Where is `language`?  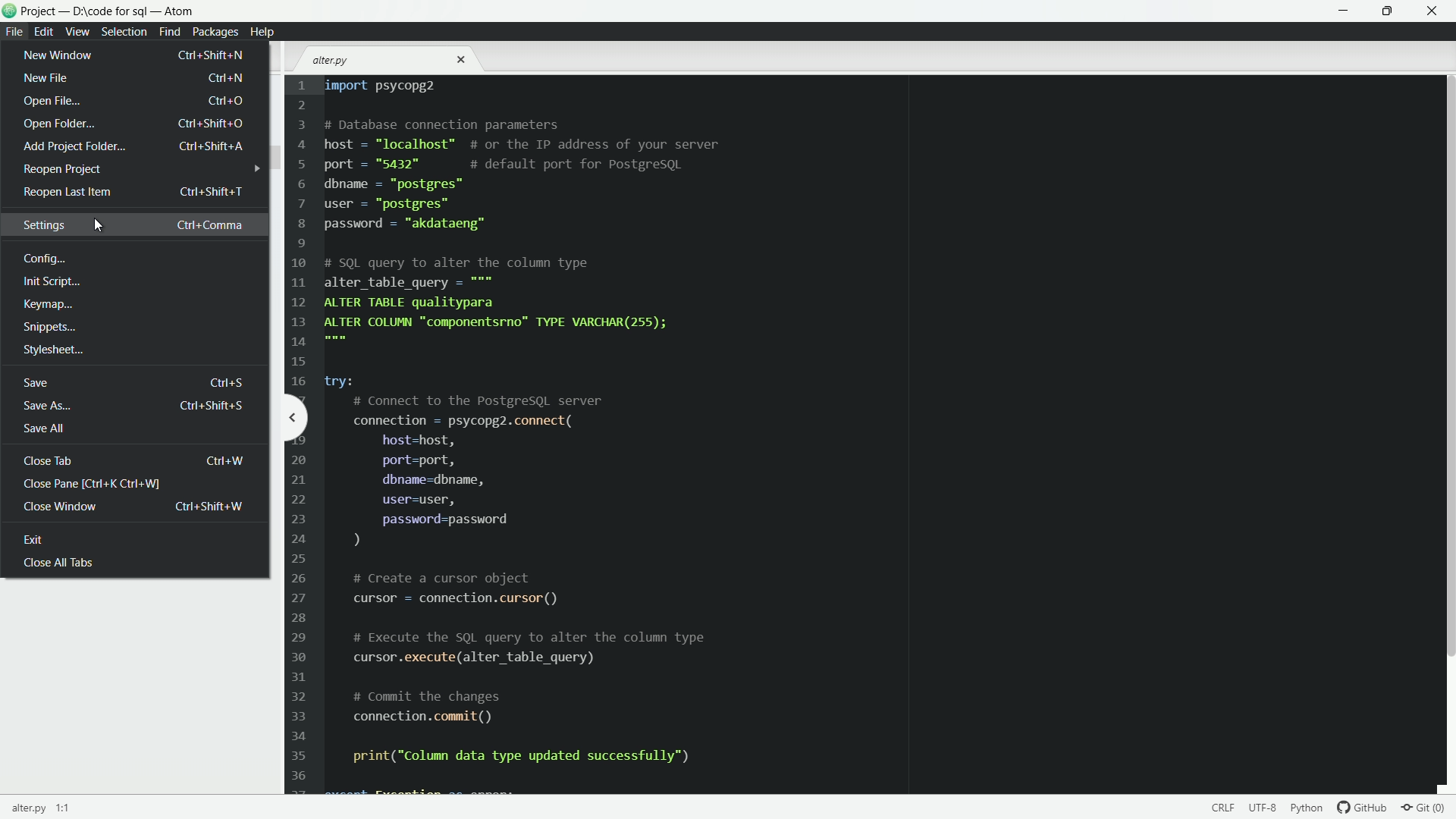 language is located at coordinates (1307, 806).